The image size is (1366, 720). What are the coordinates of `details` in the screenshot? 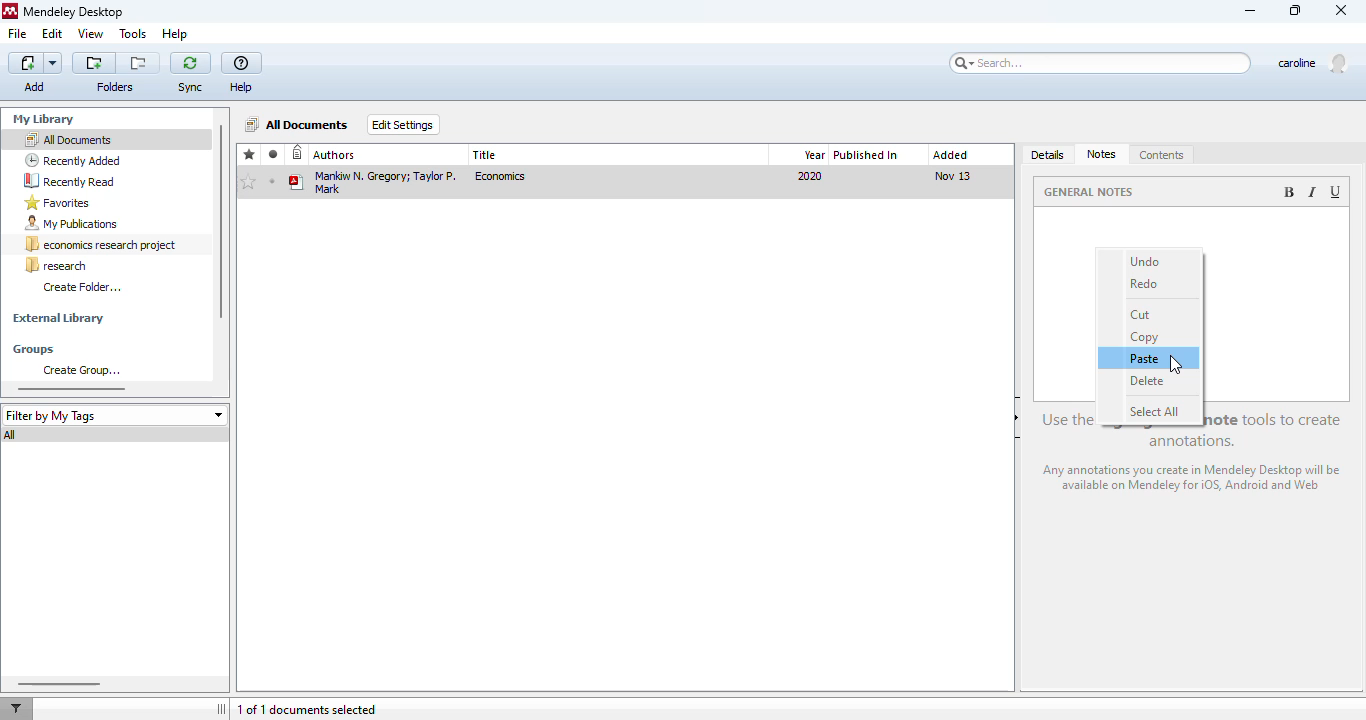 It's located at (1049, 156).